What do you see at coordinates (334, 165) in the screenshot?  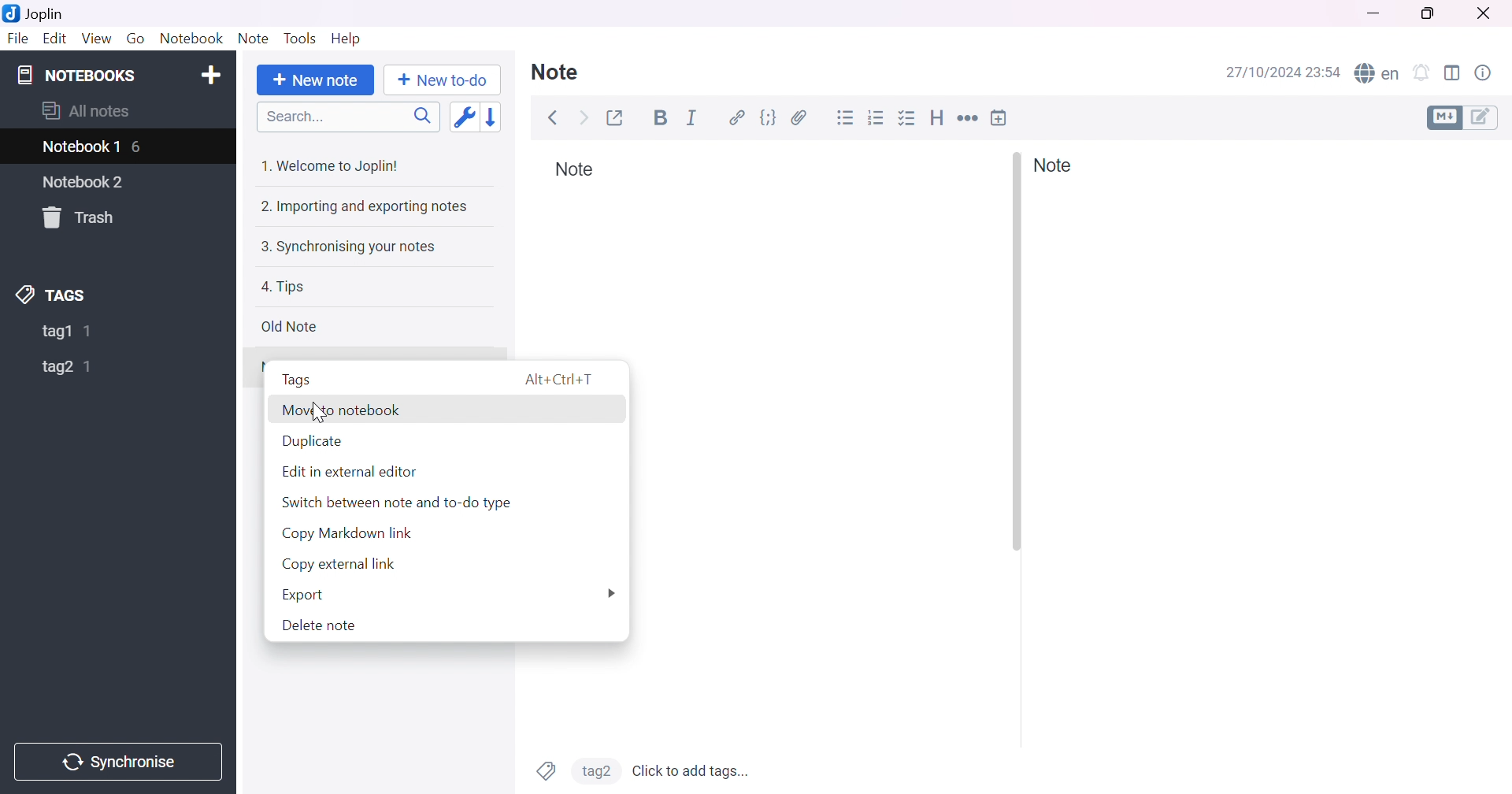 I see `1. Welcome to Joplin!` at bounding box center [334, 165].